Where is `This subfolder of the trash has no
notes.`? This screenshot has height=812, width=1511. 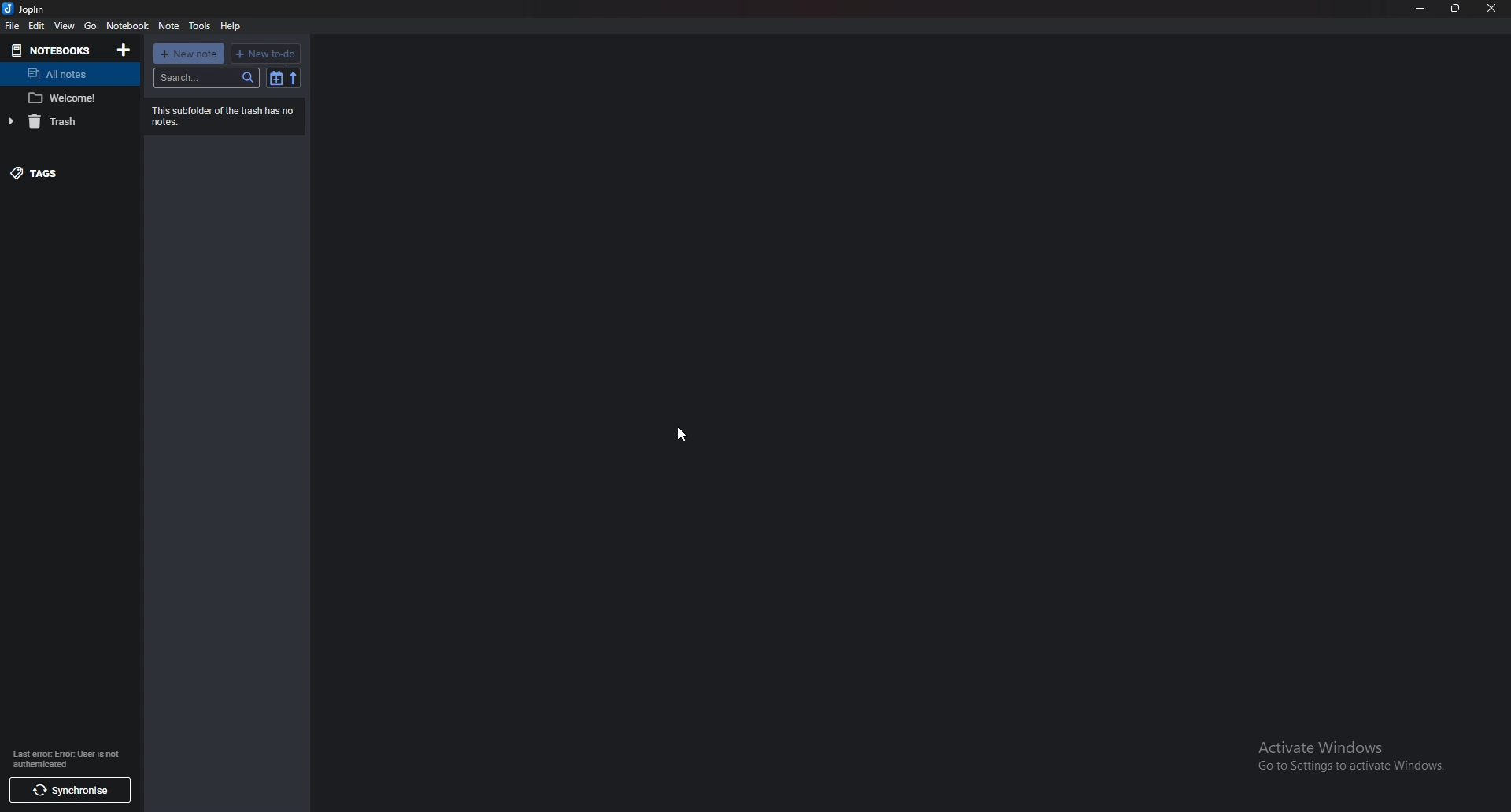 This subfolder of the trash has no
notes. is located at coordinates (229, 117).